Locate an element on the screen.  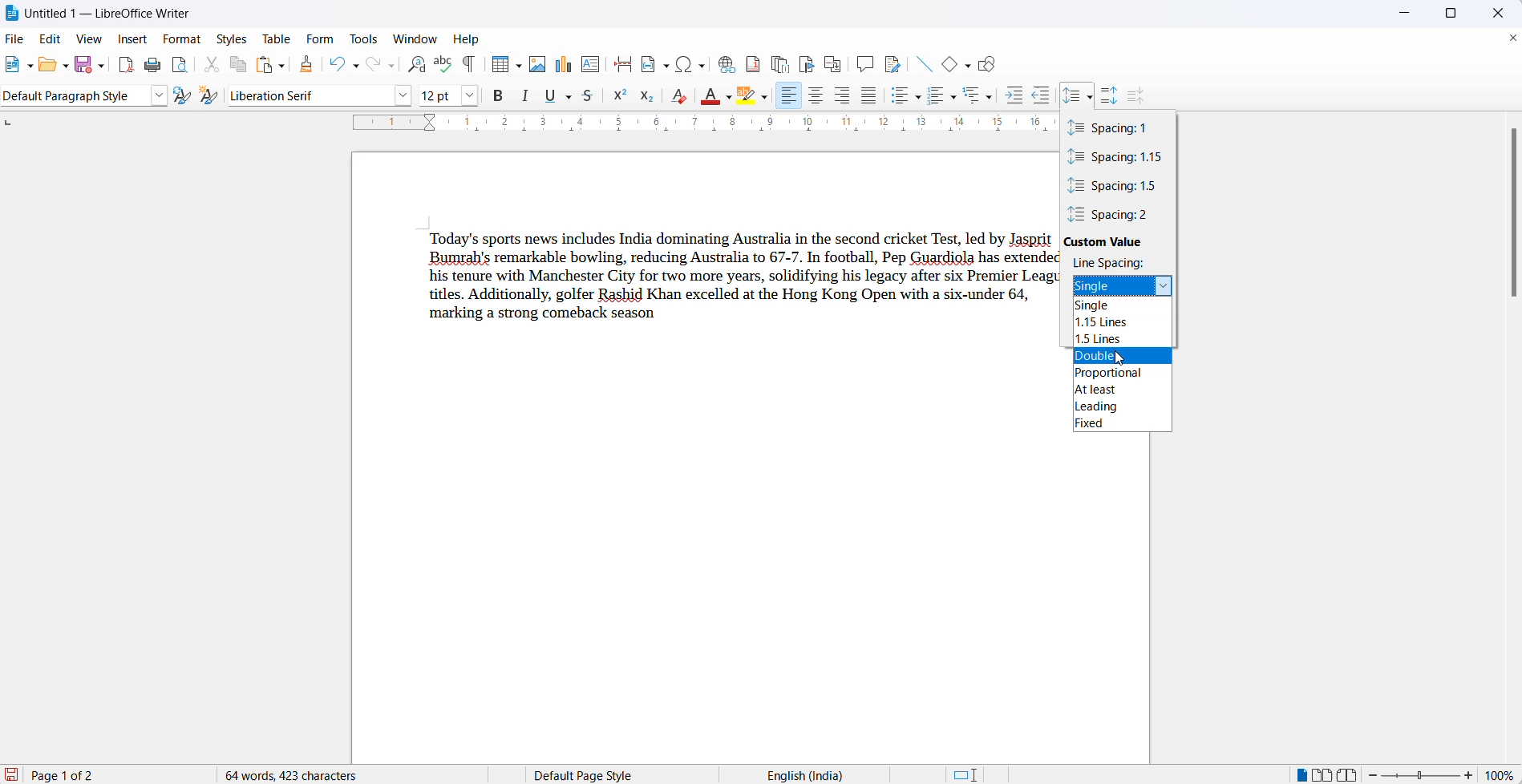
clear direct formatting is located at coordinates (678, 95).